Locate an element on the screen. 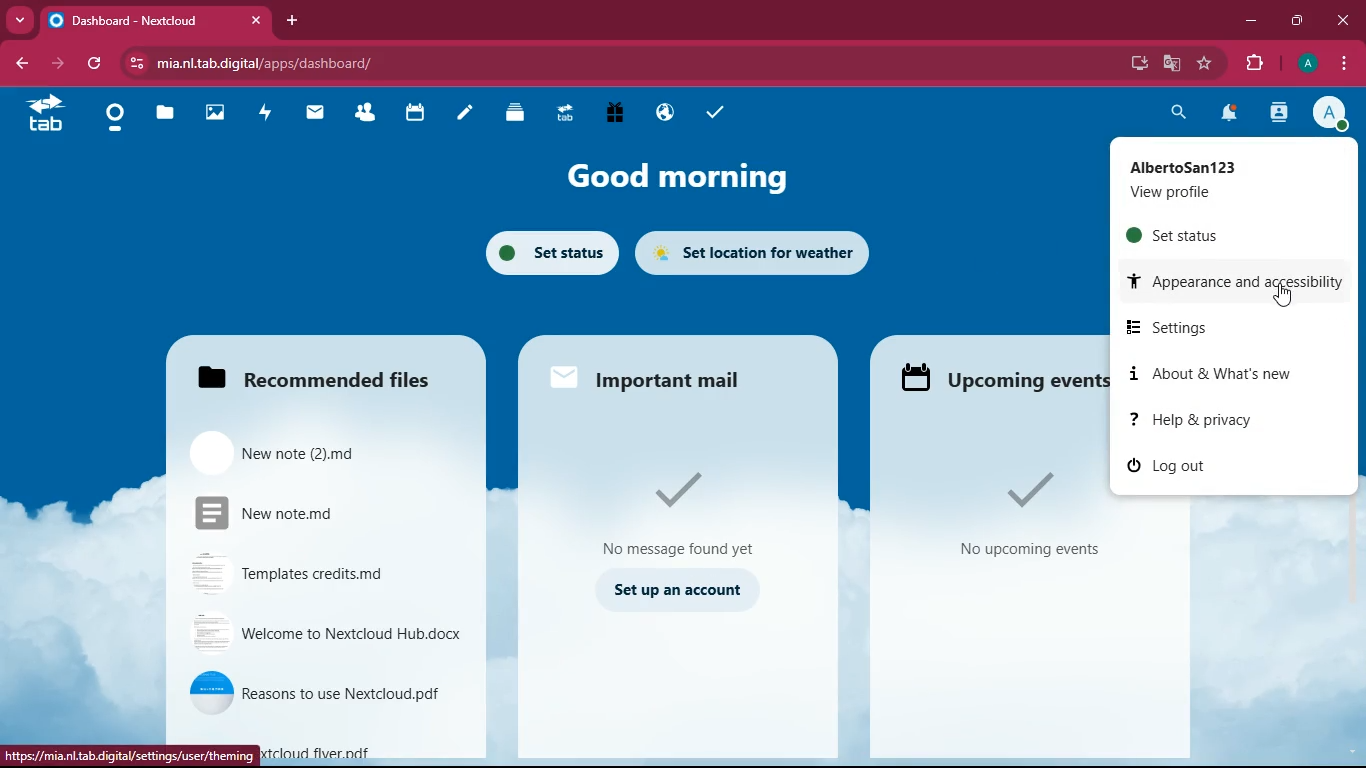 The height and width of the screenshot is (768, 1366). forward is located at coordinates (61, 64).